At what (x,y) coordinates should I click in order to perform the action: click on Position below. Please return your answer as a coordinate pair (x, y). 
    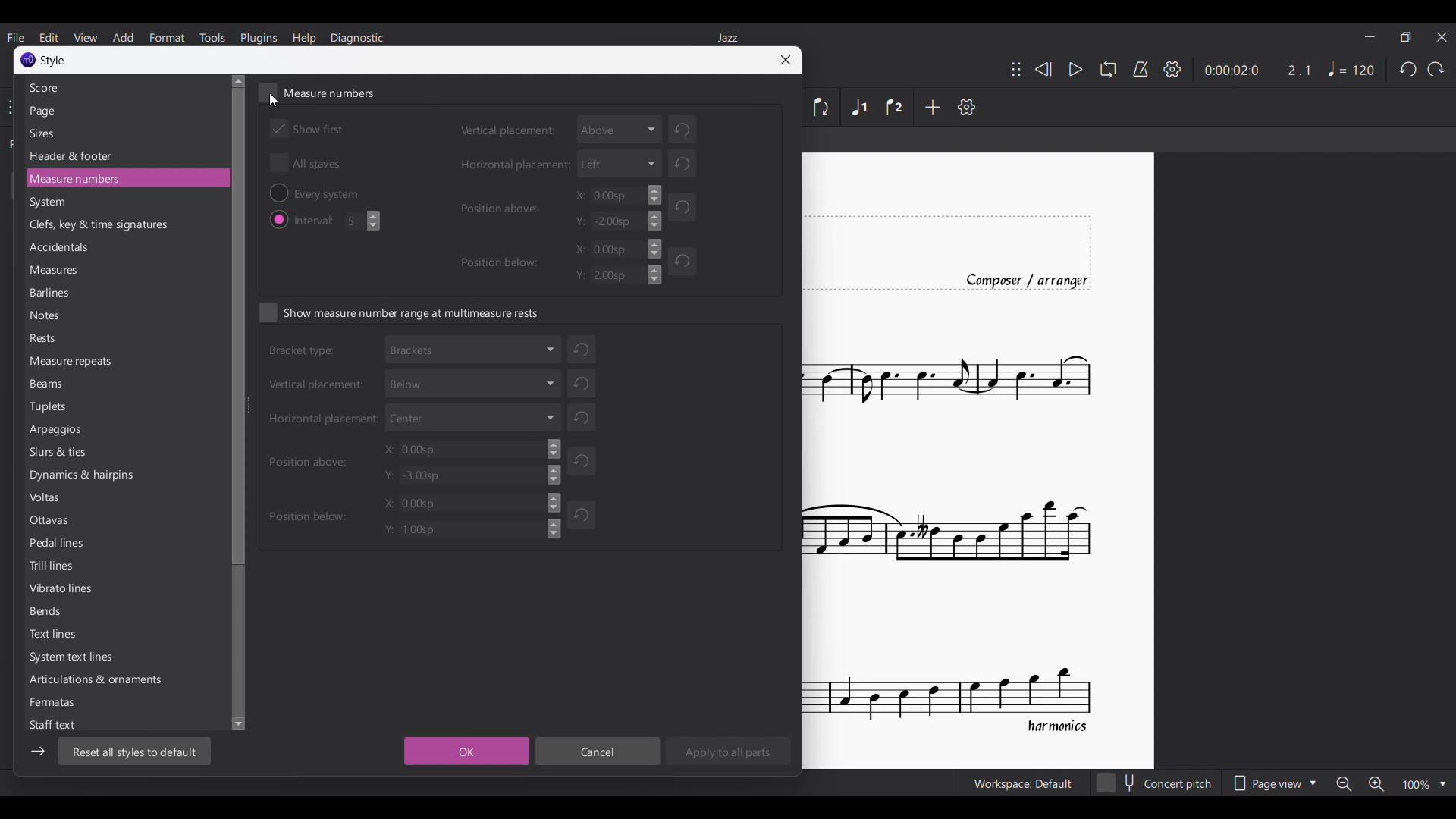
    Looking at the image, I should click on (505, 265).